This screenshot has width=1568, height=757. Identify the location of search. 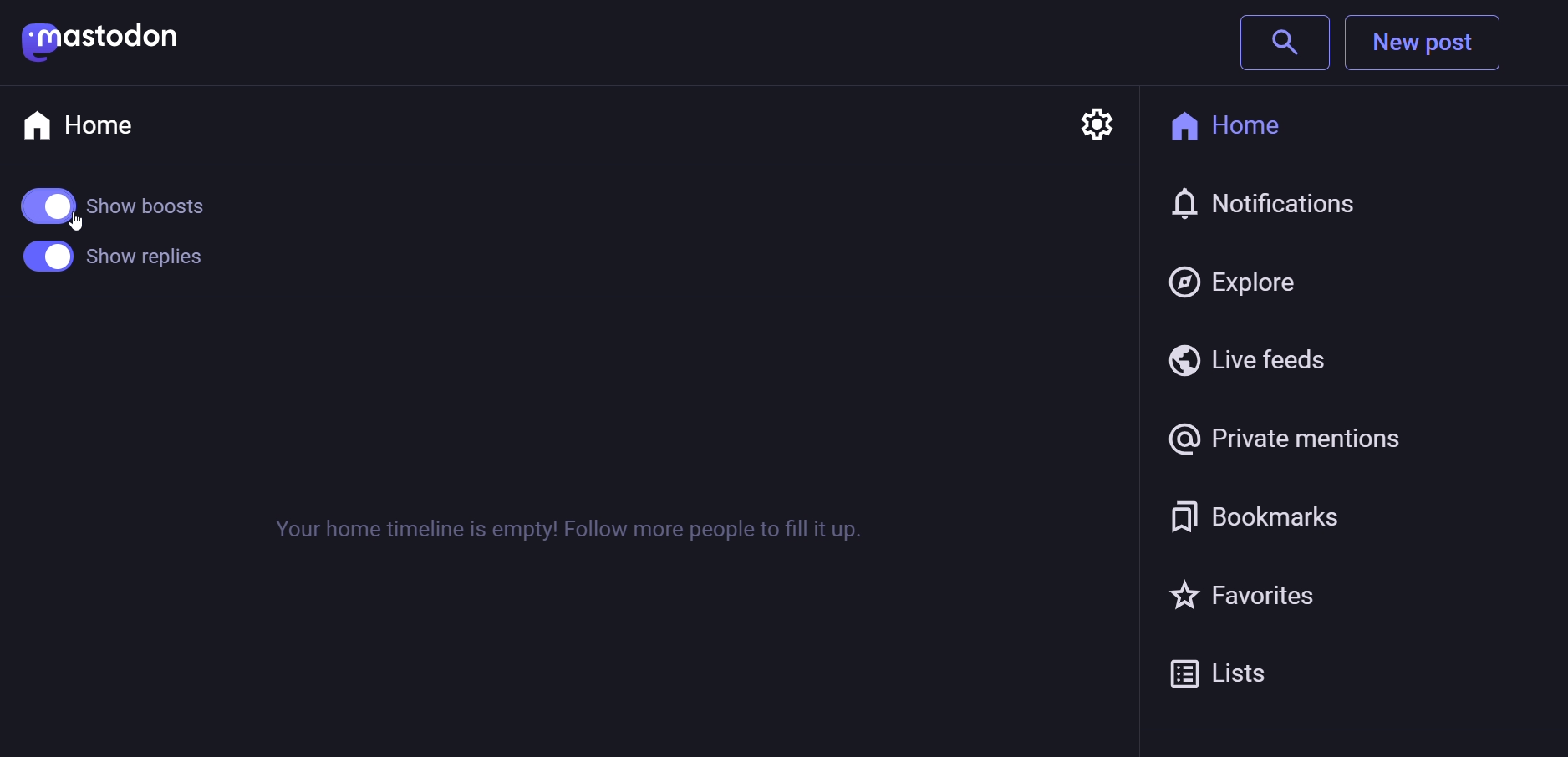
(1284, 42).